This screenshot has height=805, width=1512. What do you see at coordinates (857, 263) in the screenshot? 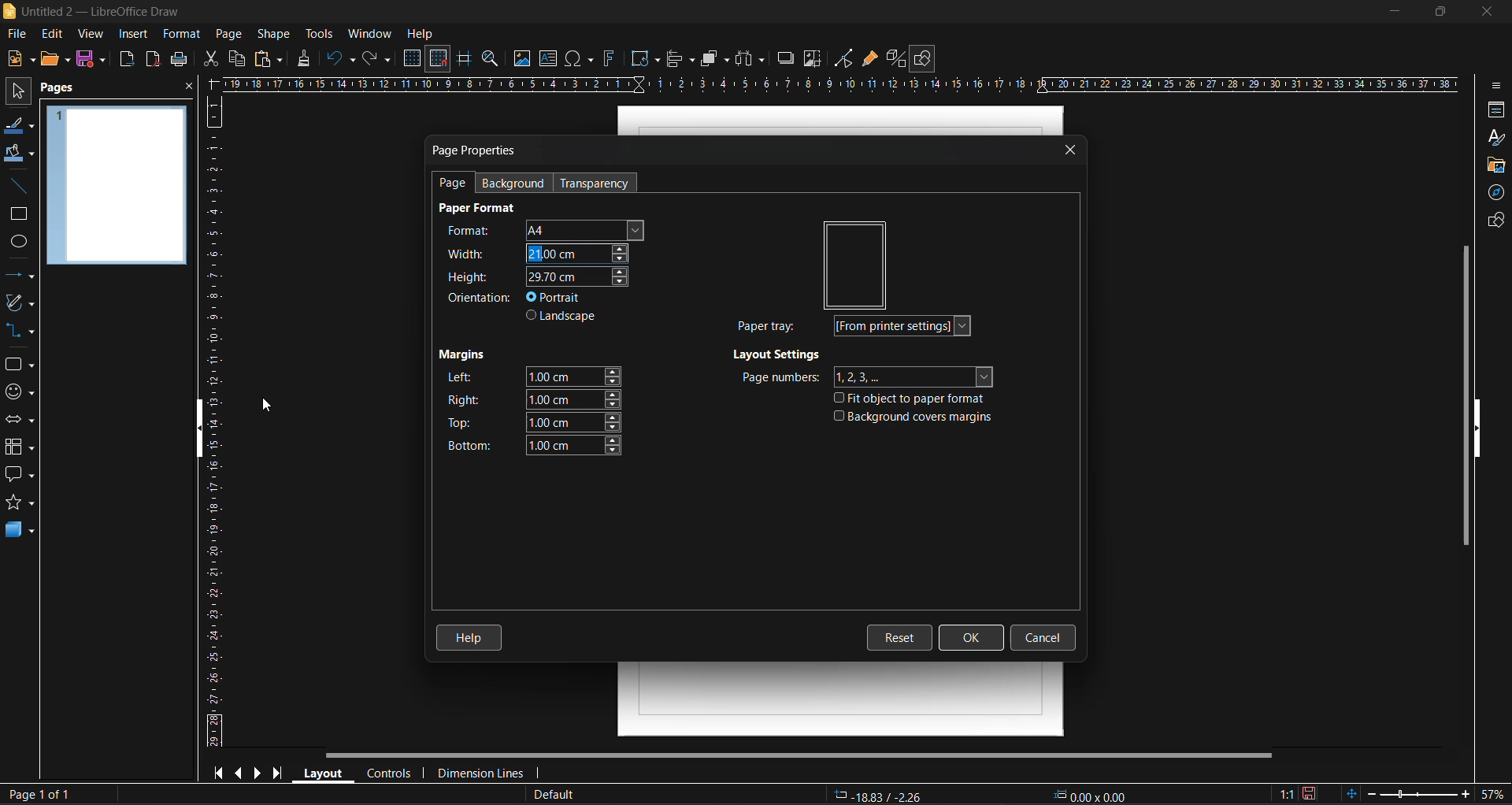
I see `preview` at bounding box center [857, 263].